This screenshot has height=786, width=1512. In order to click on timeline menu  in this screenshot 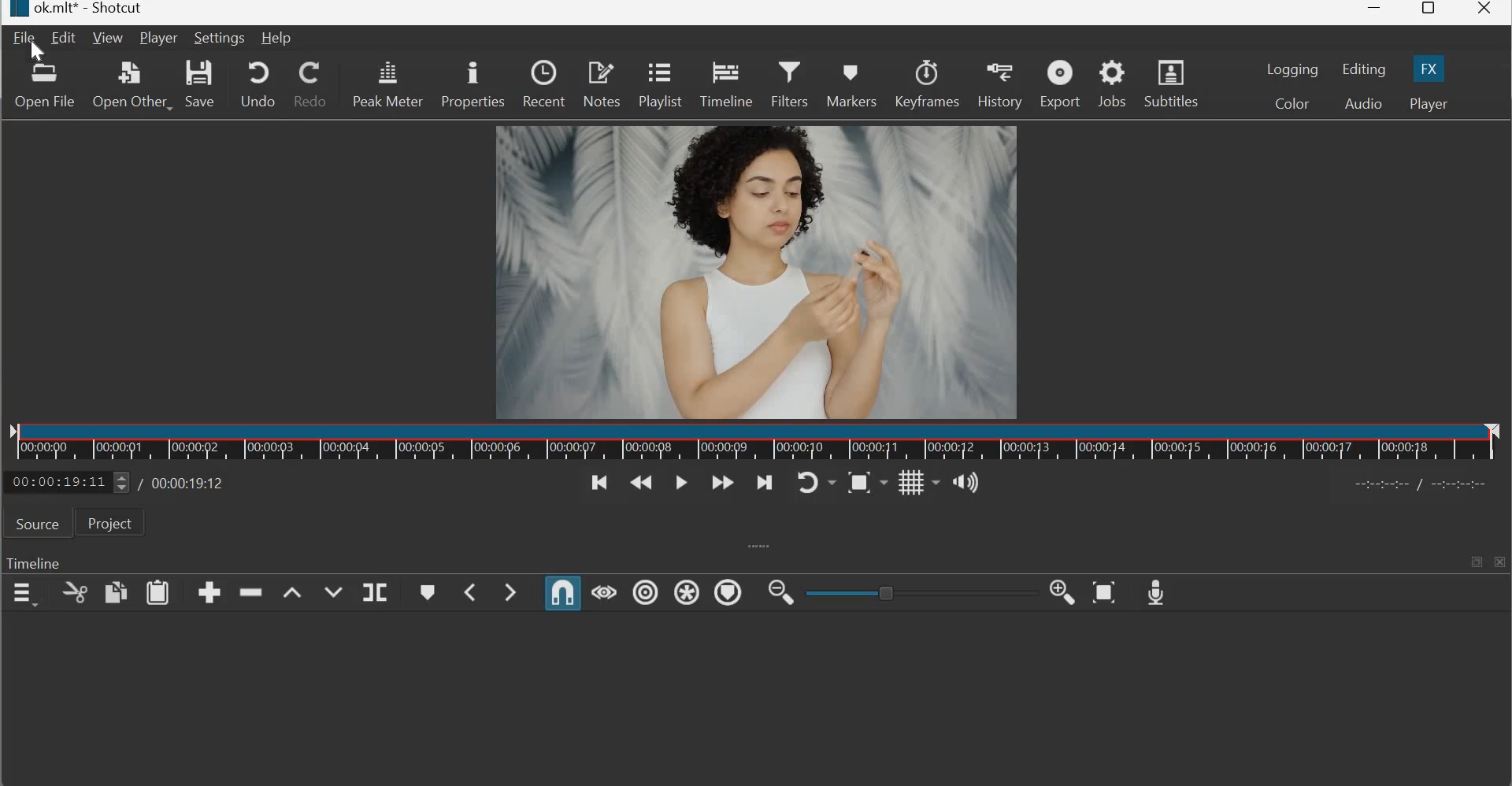, I will do `click(27, 594)`.